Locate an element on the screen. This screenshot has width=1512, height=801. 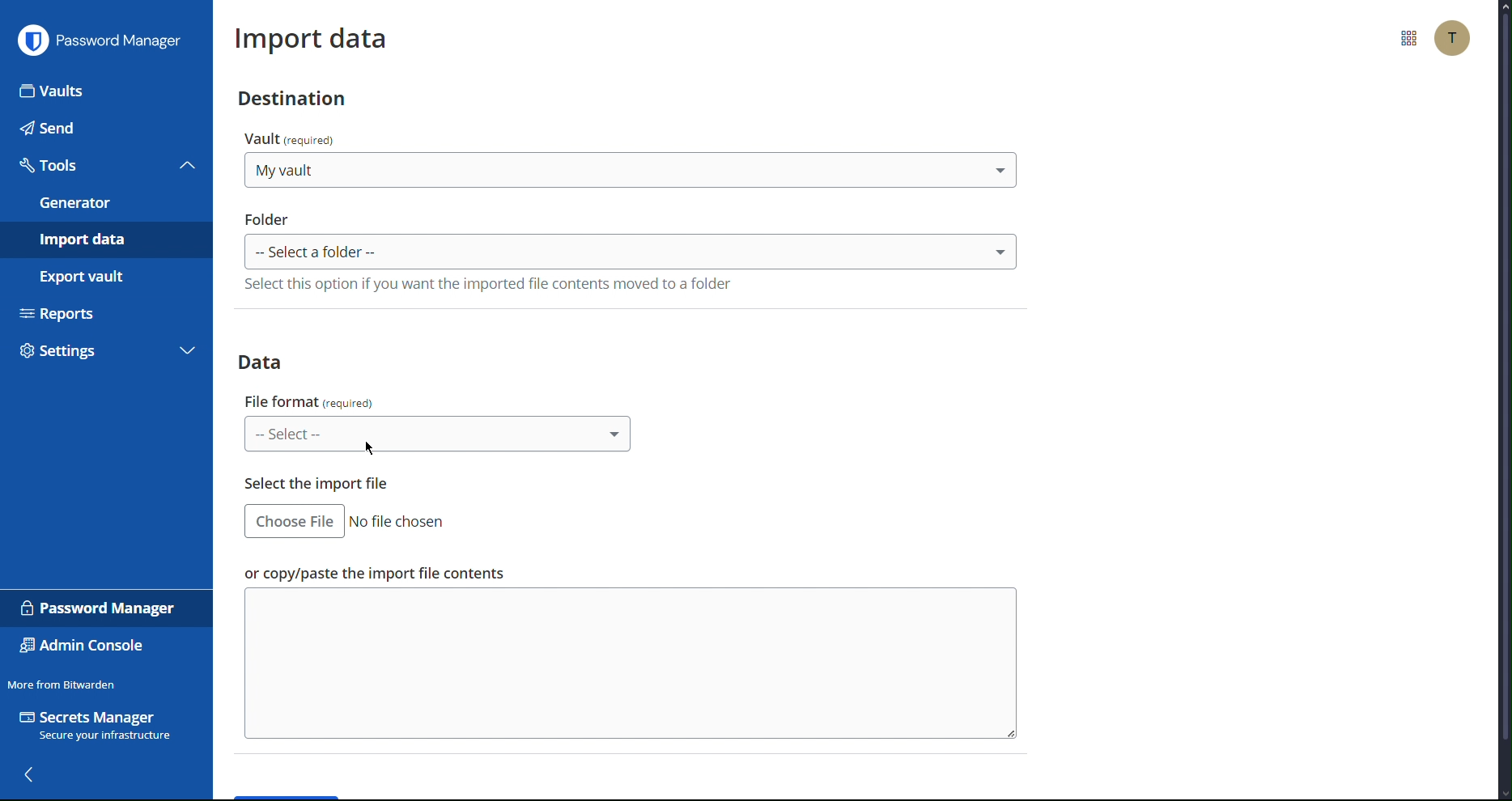
Data is located at coordinates (268, 359).